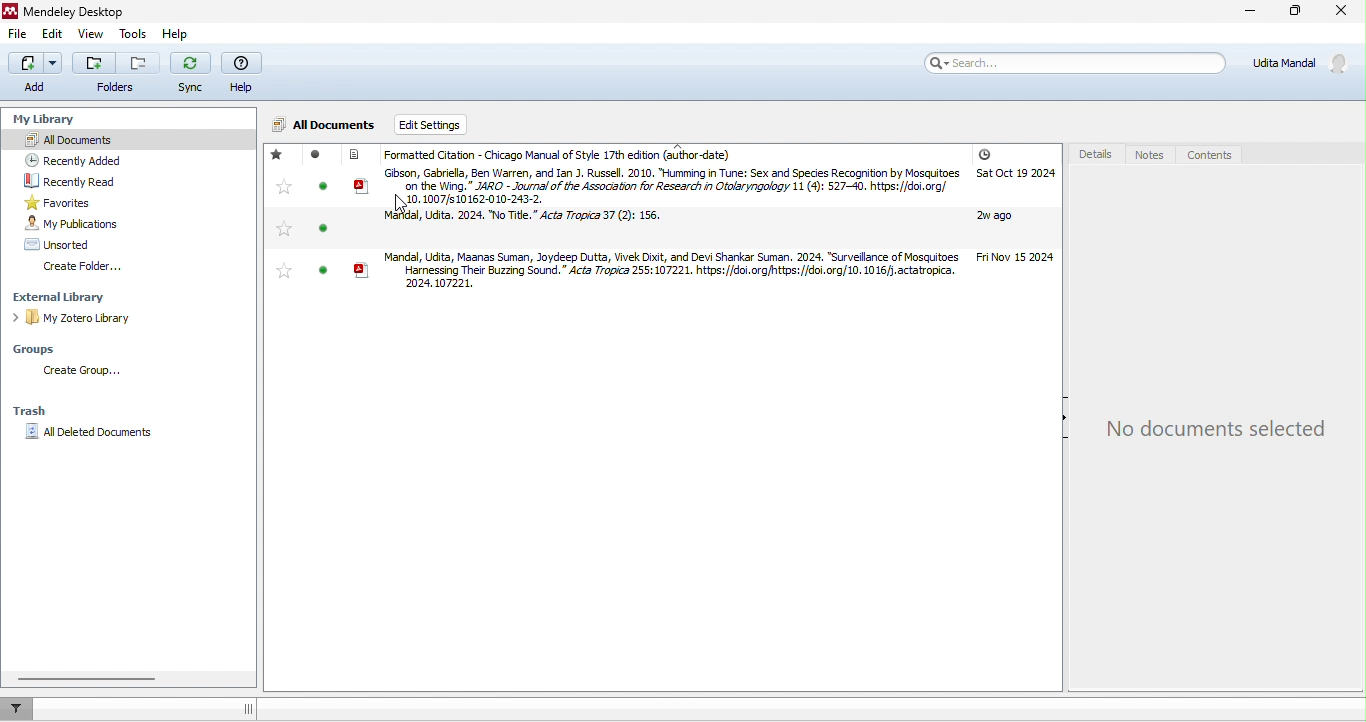  I want to click on help, so click(174, 36).